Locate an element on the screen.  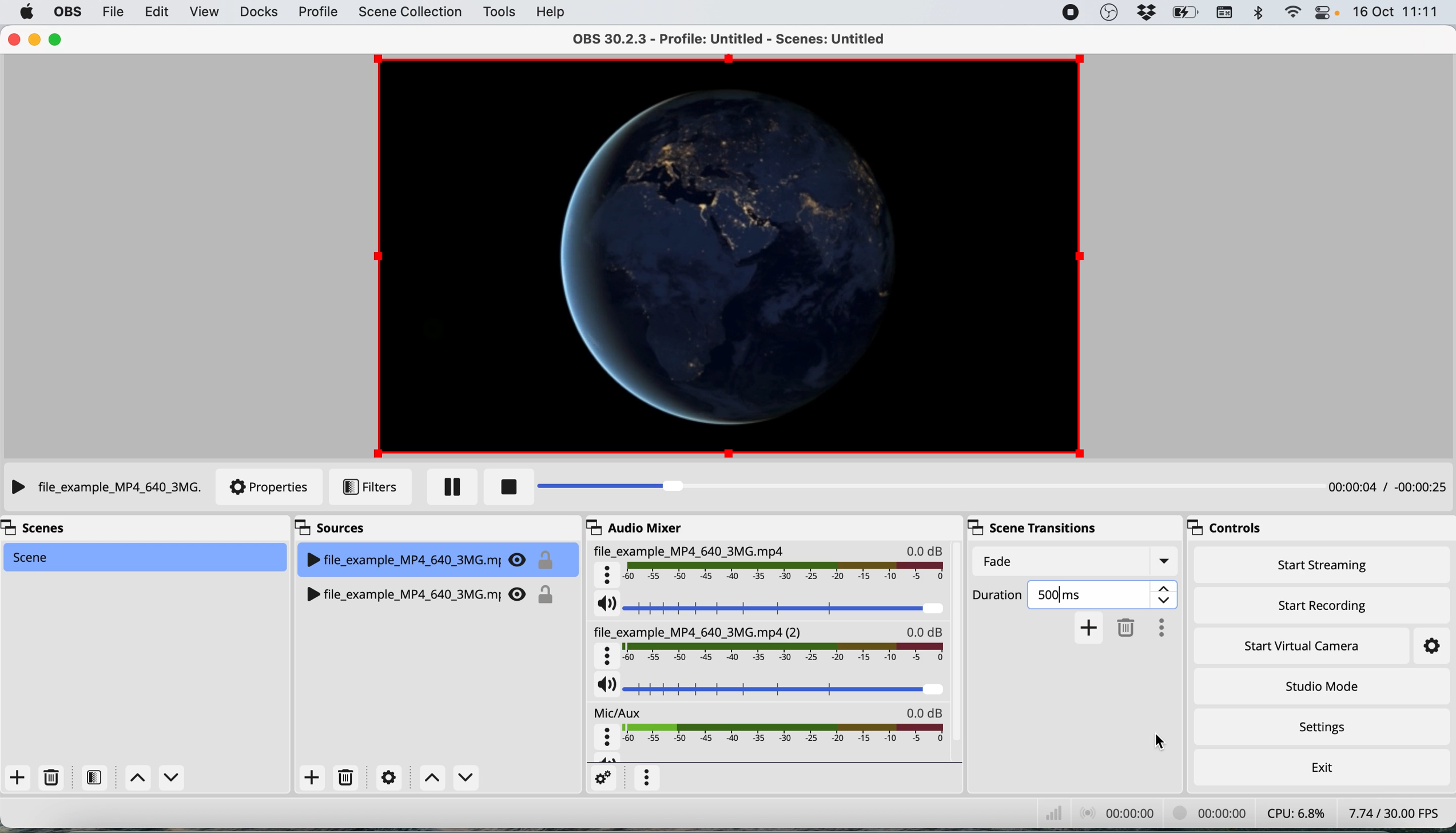
more options is located at coordinates (647, 778).